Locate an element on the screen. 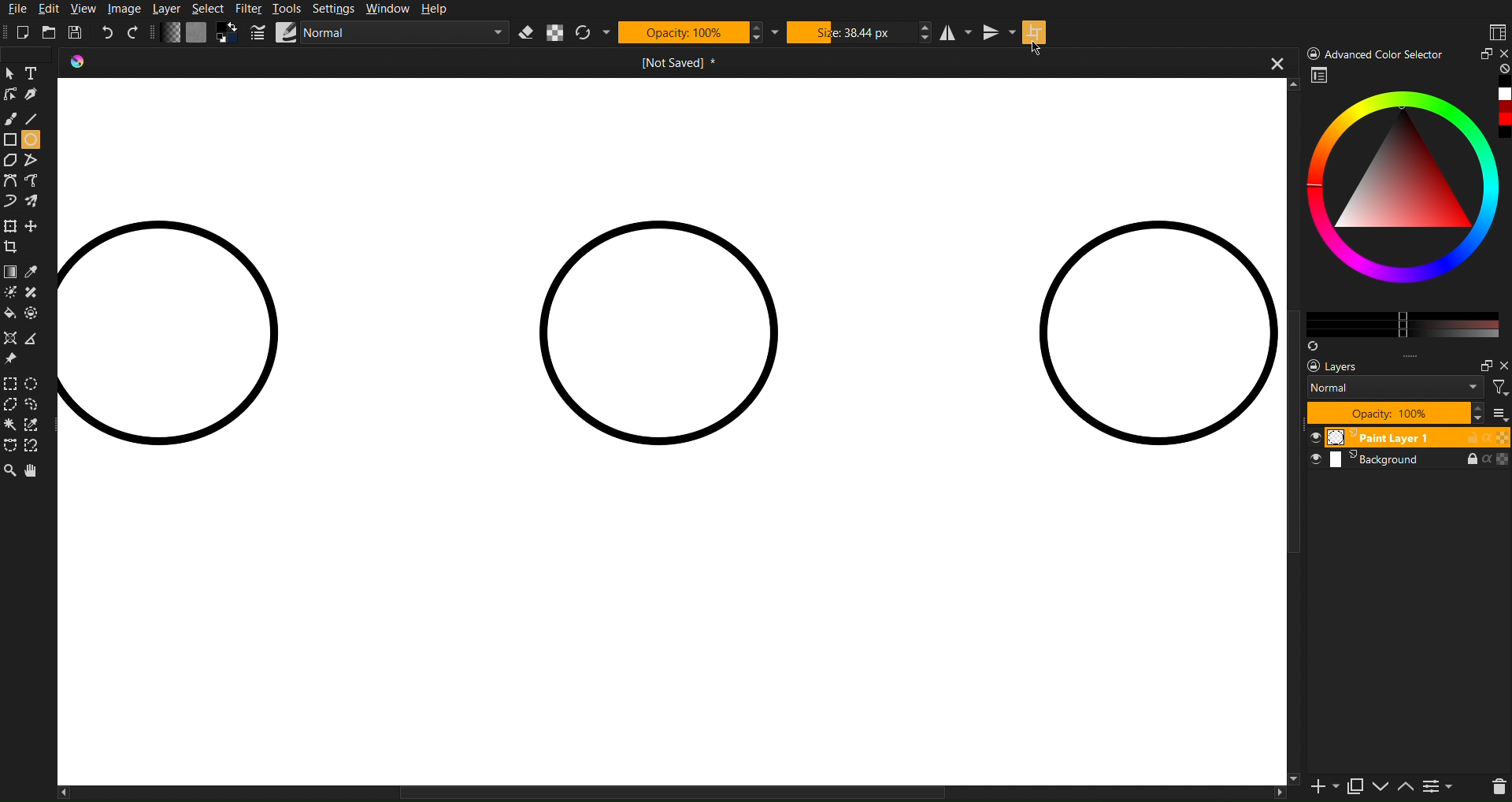  up is located at coordinates (1406, 789).